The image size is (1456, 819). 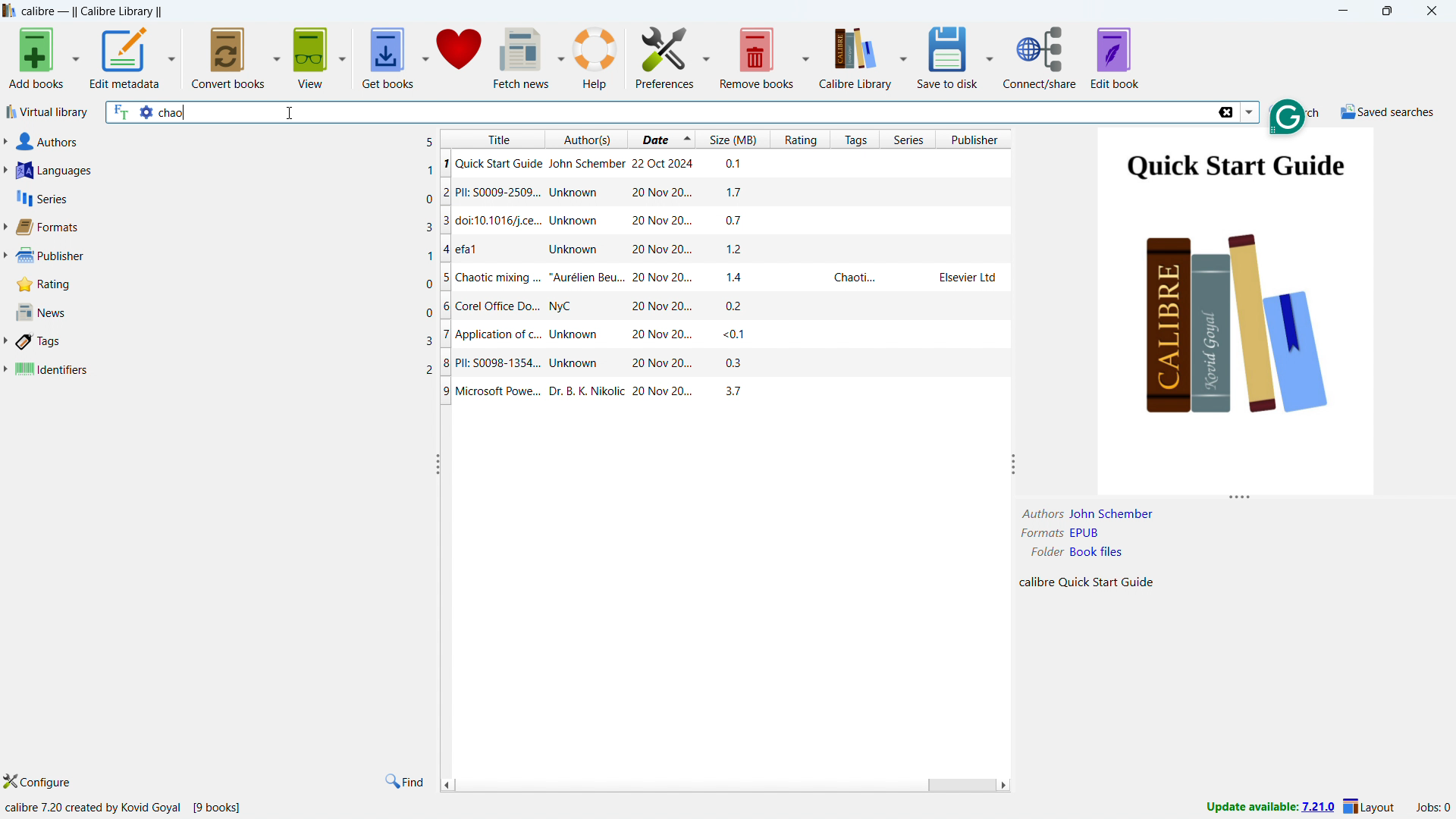 I want to click on Formats, so click(x=1038, y=535).